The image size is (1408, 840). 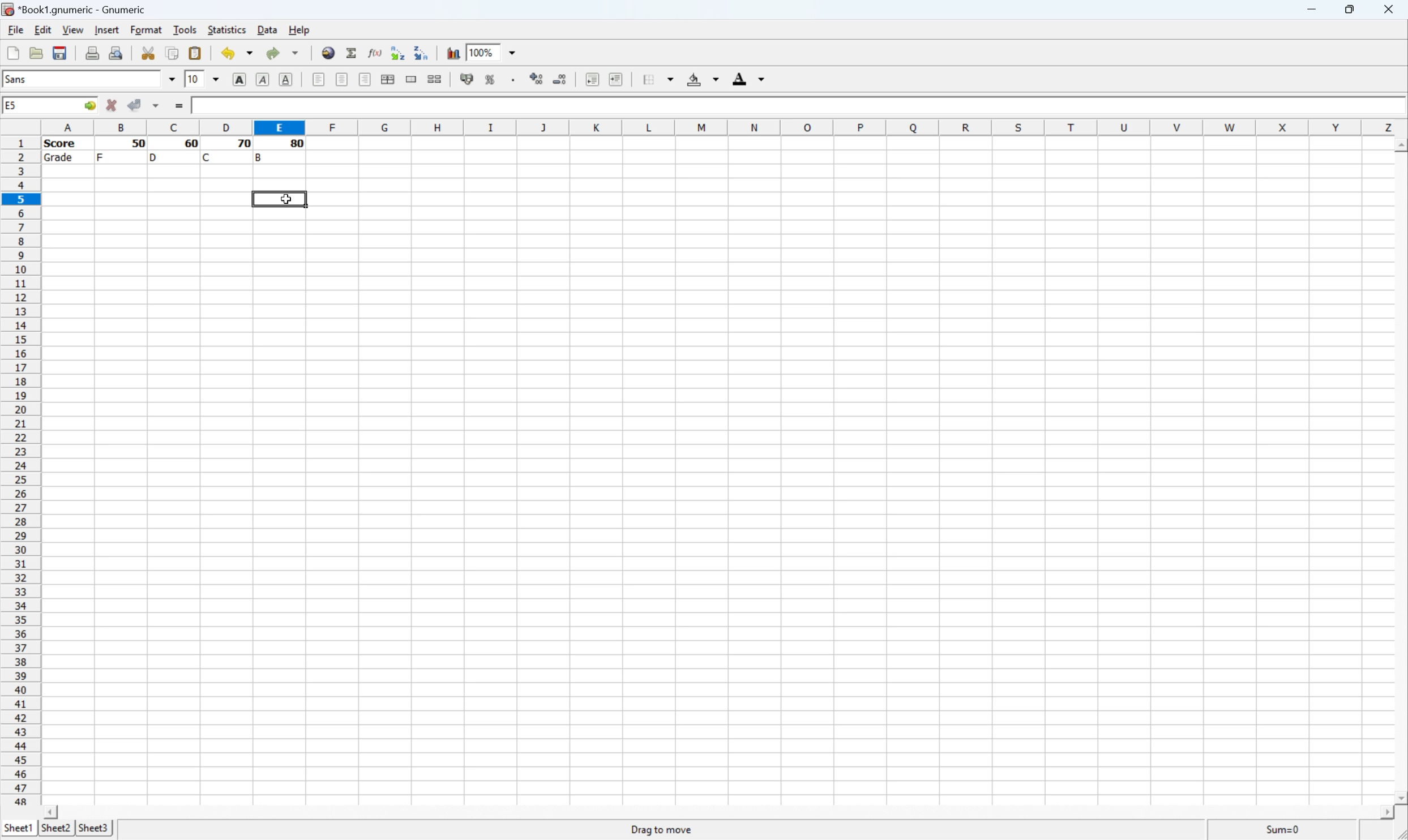 What do you see at coordinates (236, 80) in the screenshot?
I see `Align Left` at bounding box center [236, 80].